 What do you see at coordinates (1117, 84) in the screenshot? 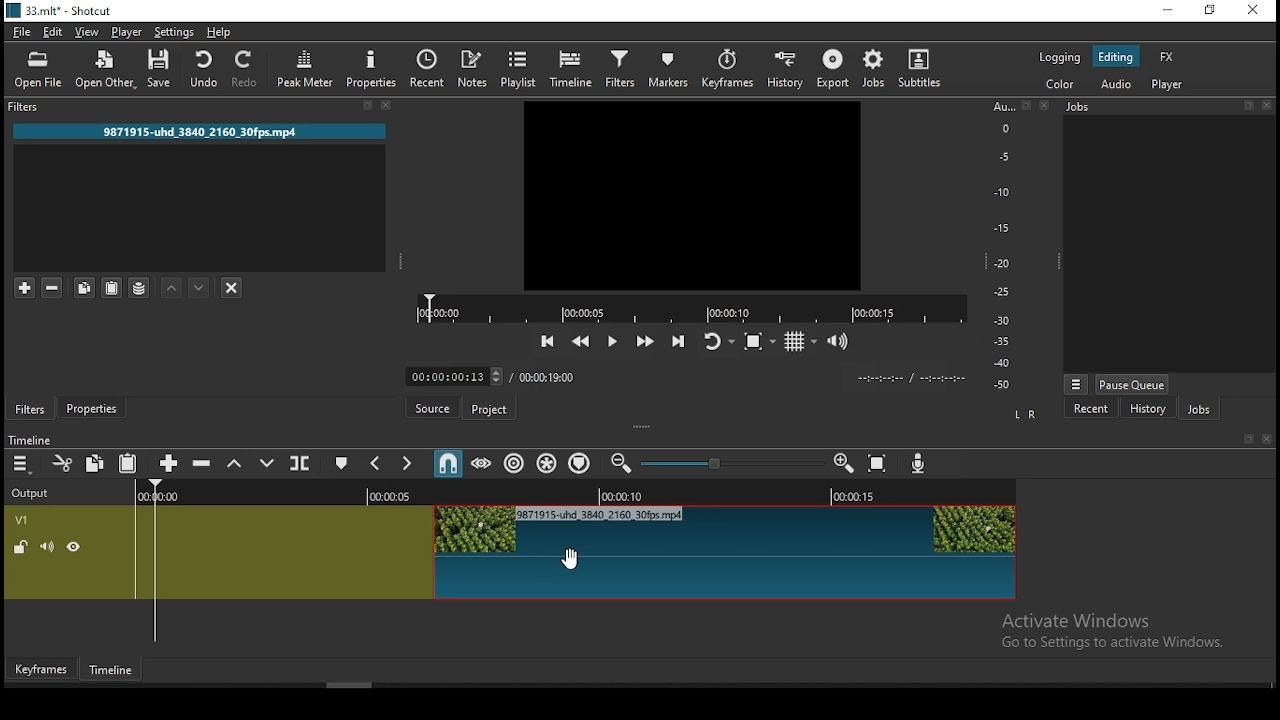
I see `audio` at bounding box center [1117, 84].